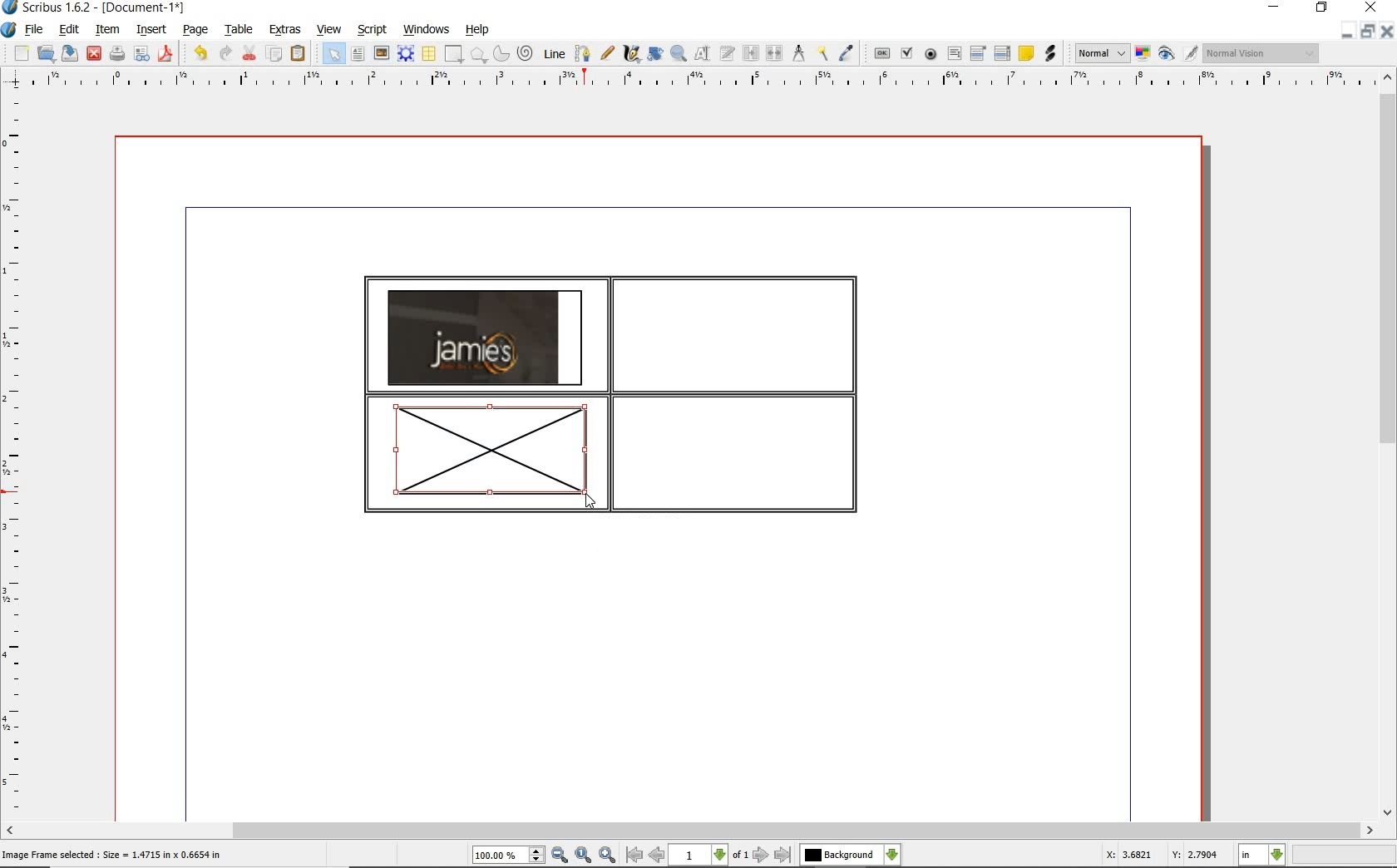 The width and height of the screenshot is (1397, 868). I want to click on preflight verifier, so click(141, 55).